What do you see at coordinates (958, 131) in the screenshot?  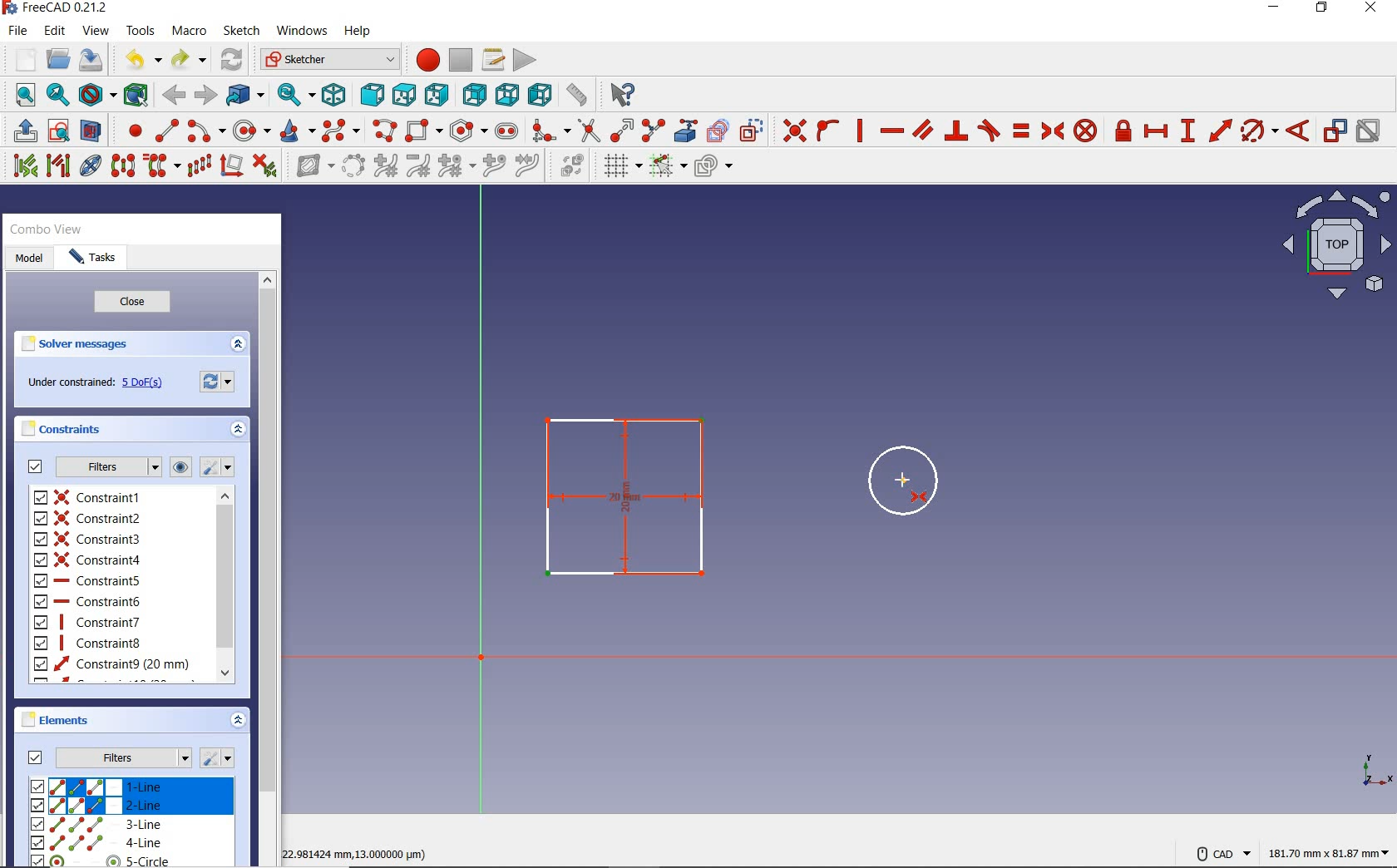 I see `constrain perpendicular` at bounding box center [958, 131].